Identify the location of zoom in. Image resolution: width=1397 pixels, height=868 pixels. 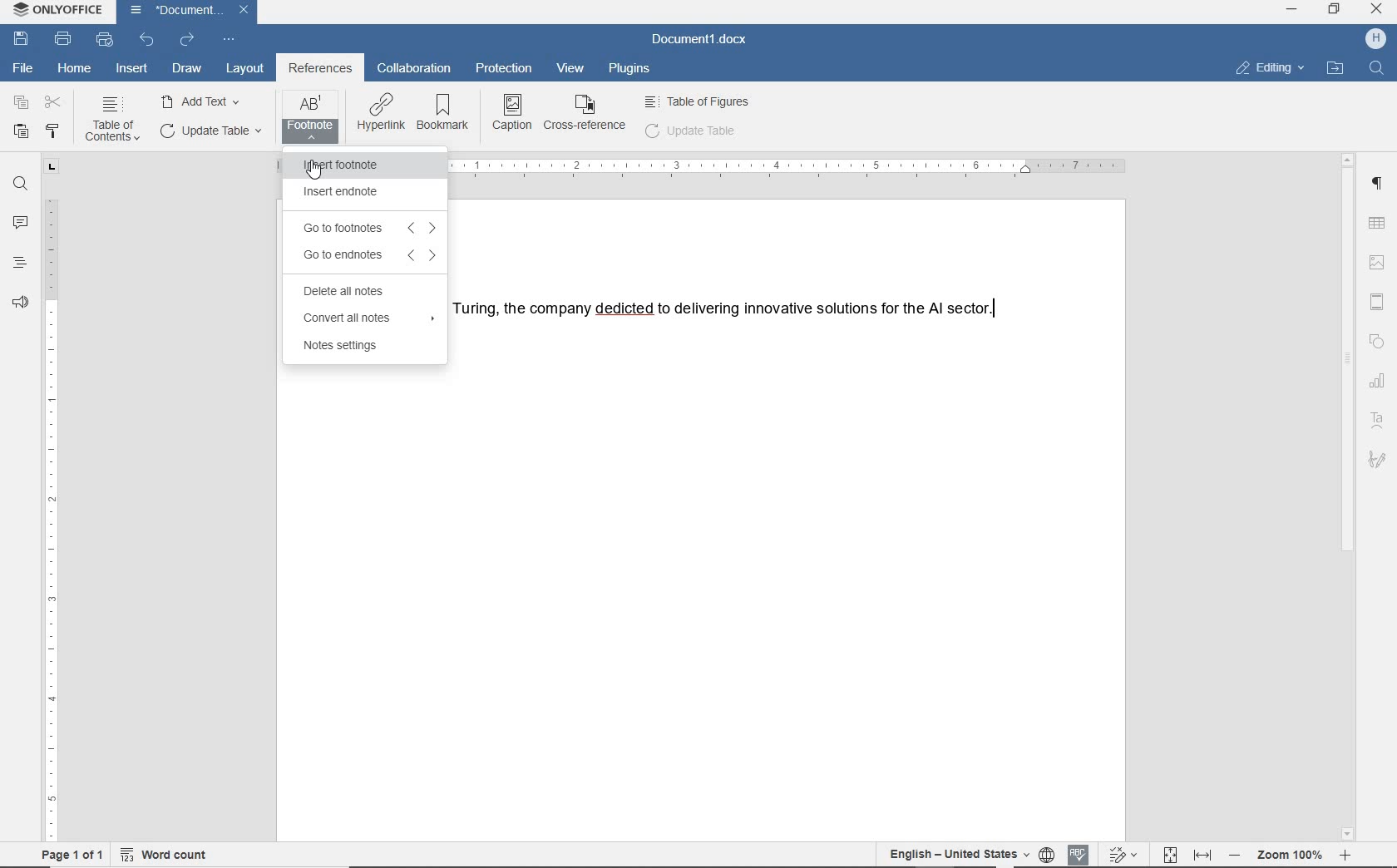
(1345, 855).